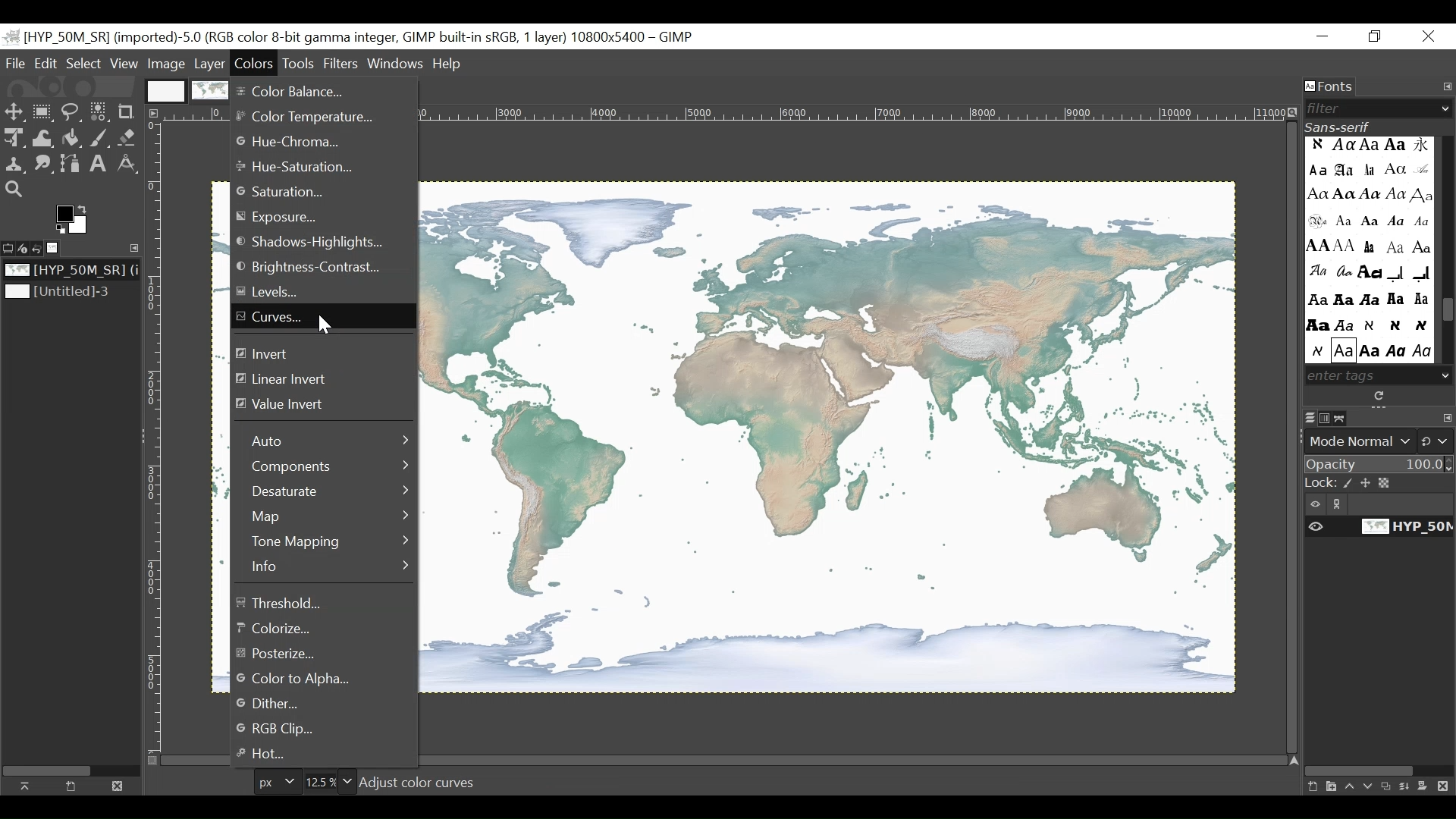 This screenshot has width=1456, height=819. What do you see at coordinates (321, 318) in the screenshot?
I see `Curves` at bounding box center [321, 318].